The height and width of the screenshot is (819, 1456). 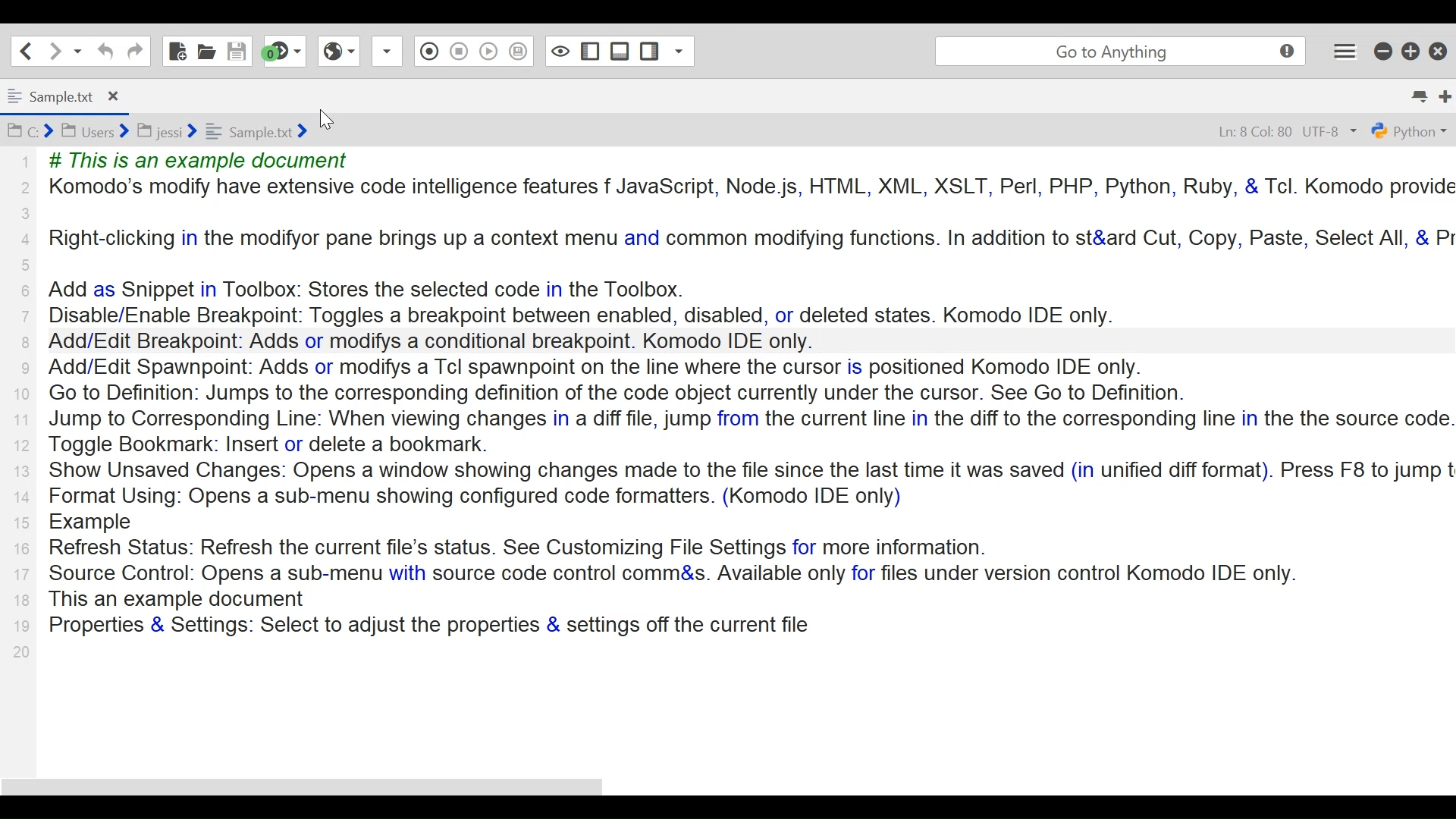 What do you see at coordinates (1384, 50) in the screenshot?
I see `minimize` at bounding box center [1384, 50].